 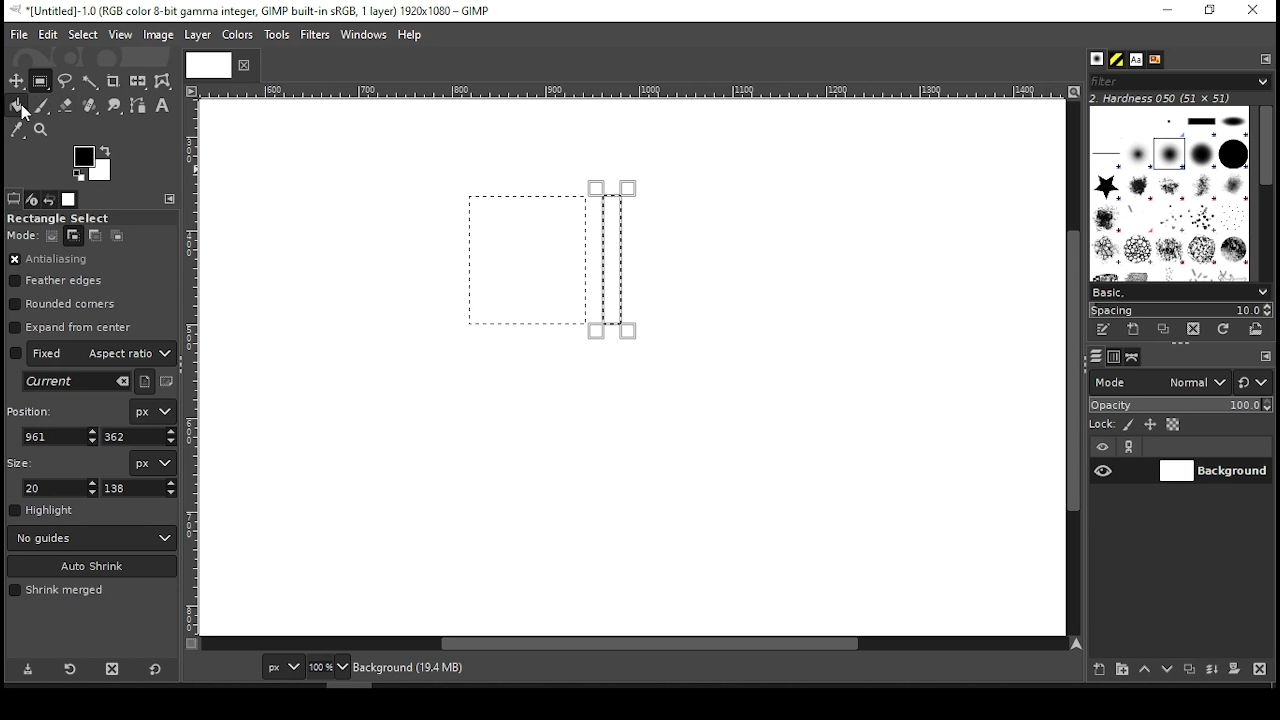 I want to click on lock pixels, so click(x=1132, y=425).